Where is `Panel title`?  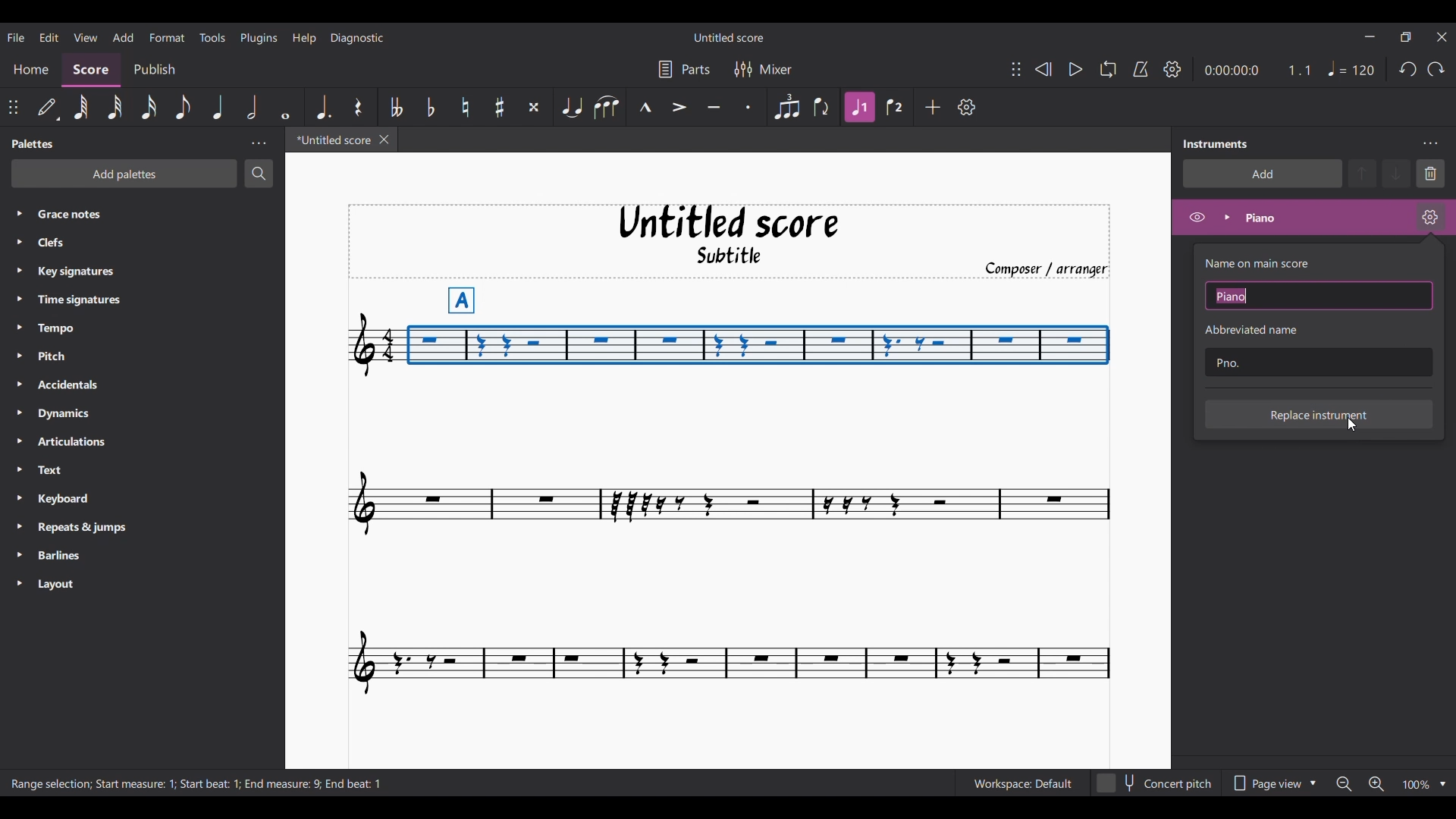 Panel title is located at coordinates (1219, 144).